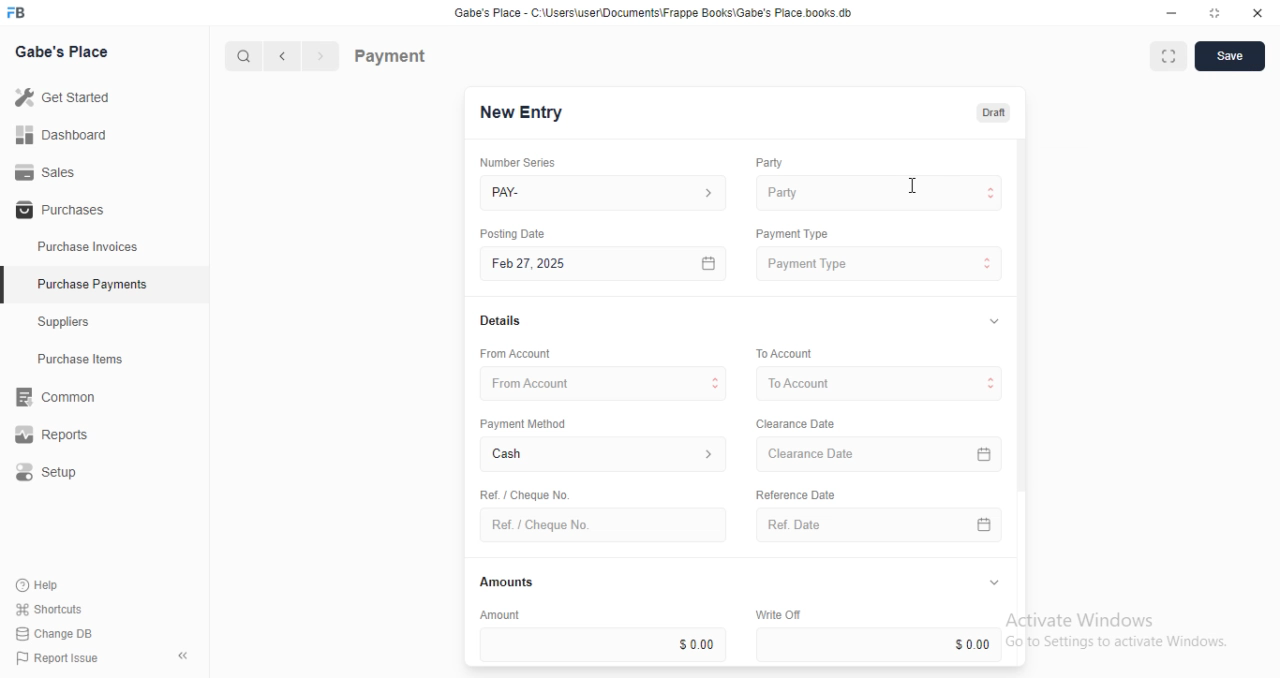  I want to click on Save, so click(1229, 56).